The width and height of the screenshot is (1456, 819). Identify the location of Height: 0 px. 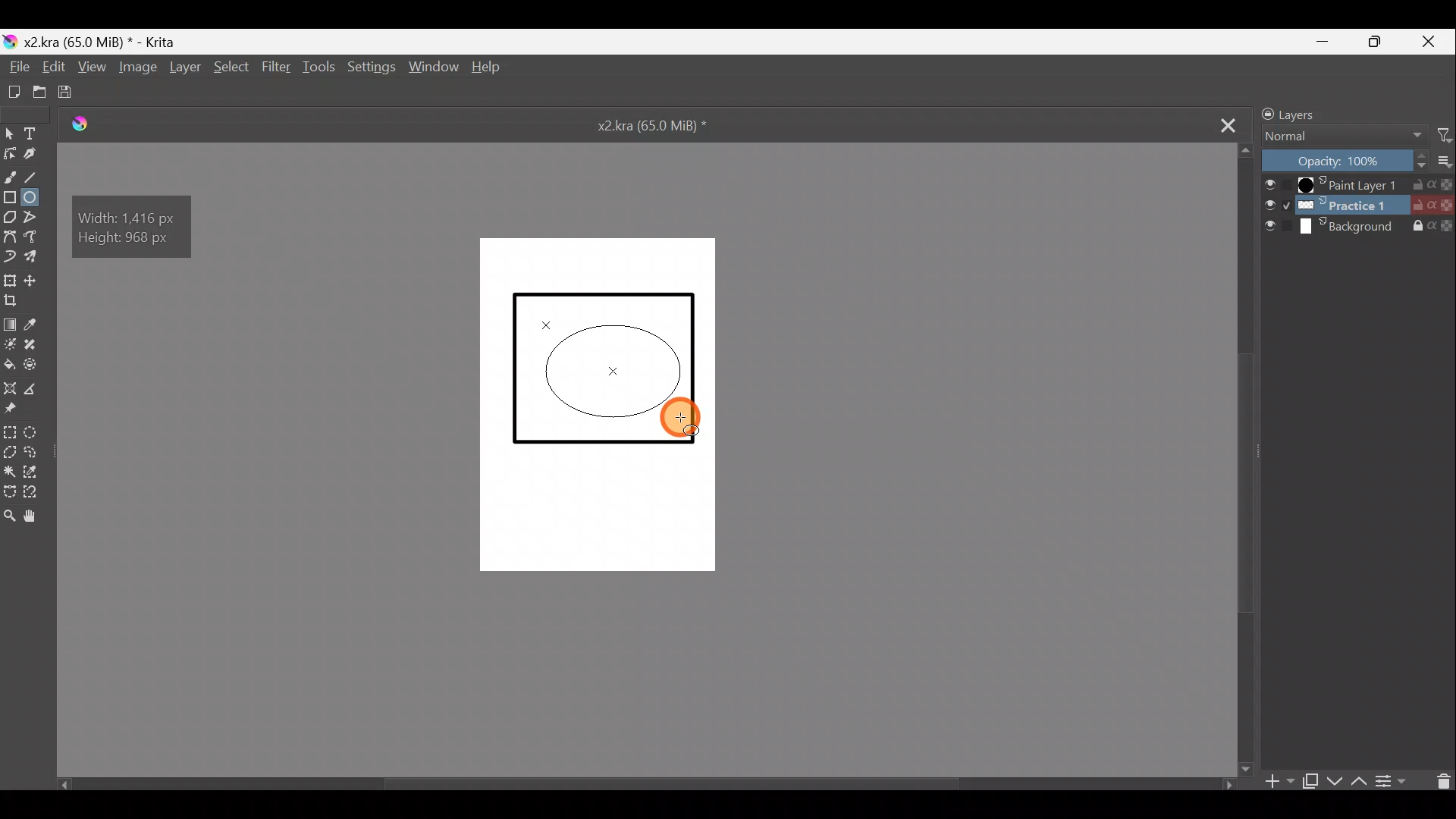
(124, 241).